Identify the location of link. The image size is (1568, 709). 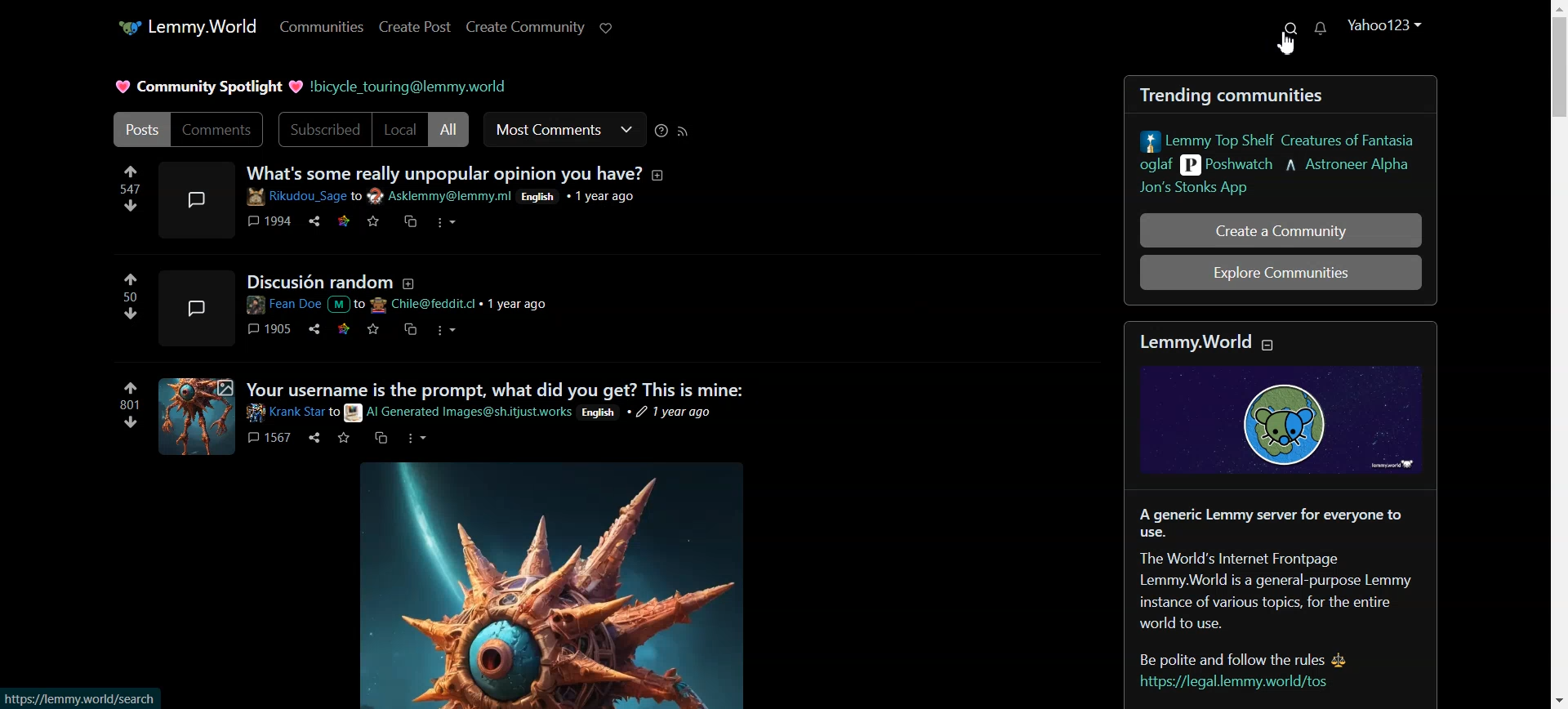
(343, 330).